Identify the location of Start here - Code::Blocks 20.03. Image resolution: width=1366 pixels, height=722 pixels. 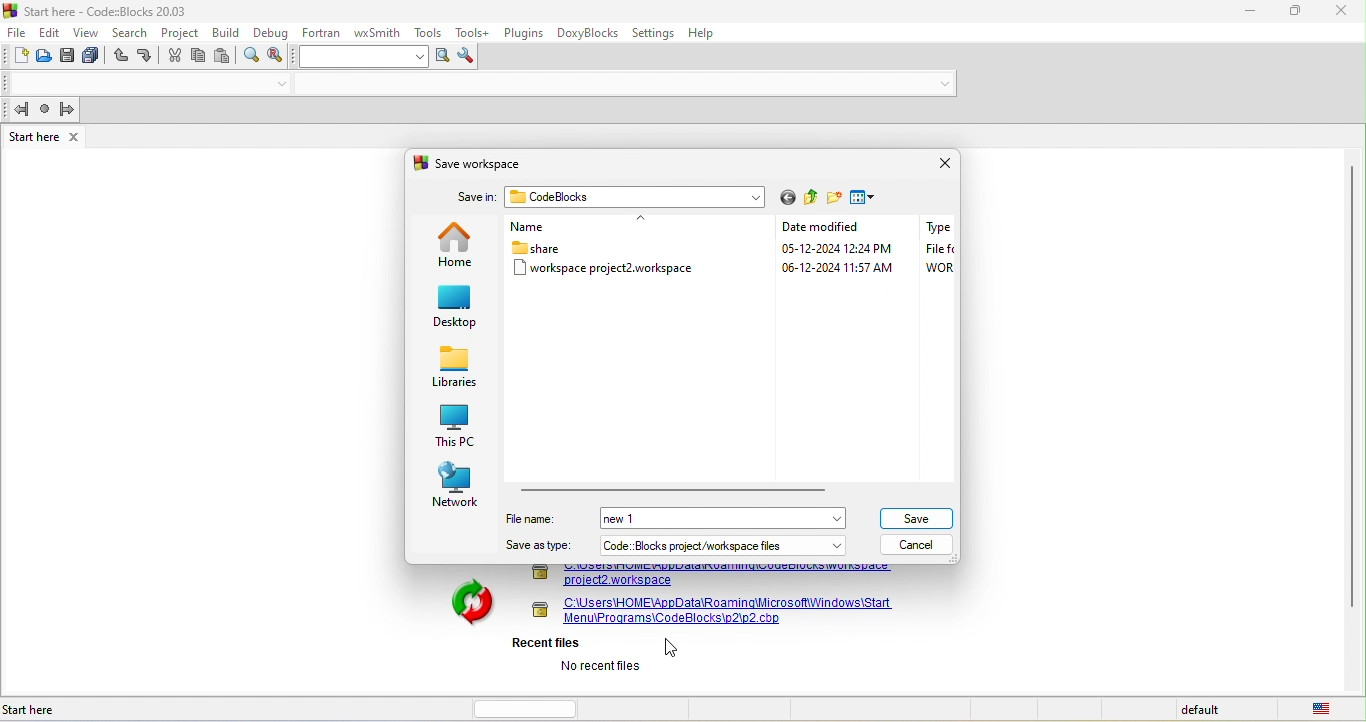
(98, 10).